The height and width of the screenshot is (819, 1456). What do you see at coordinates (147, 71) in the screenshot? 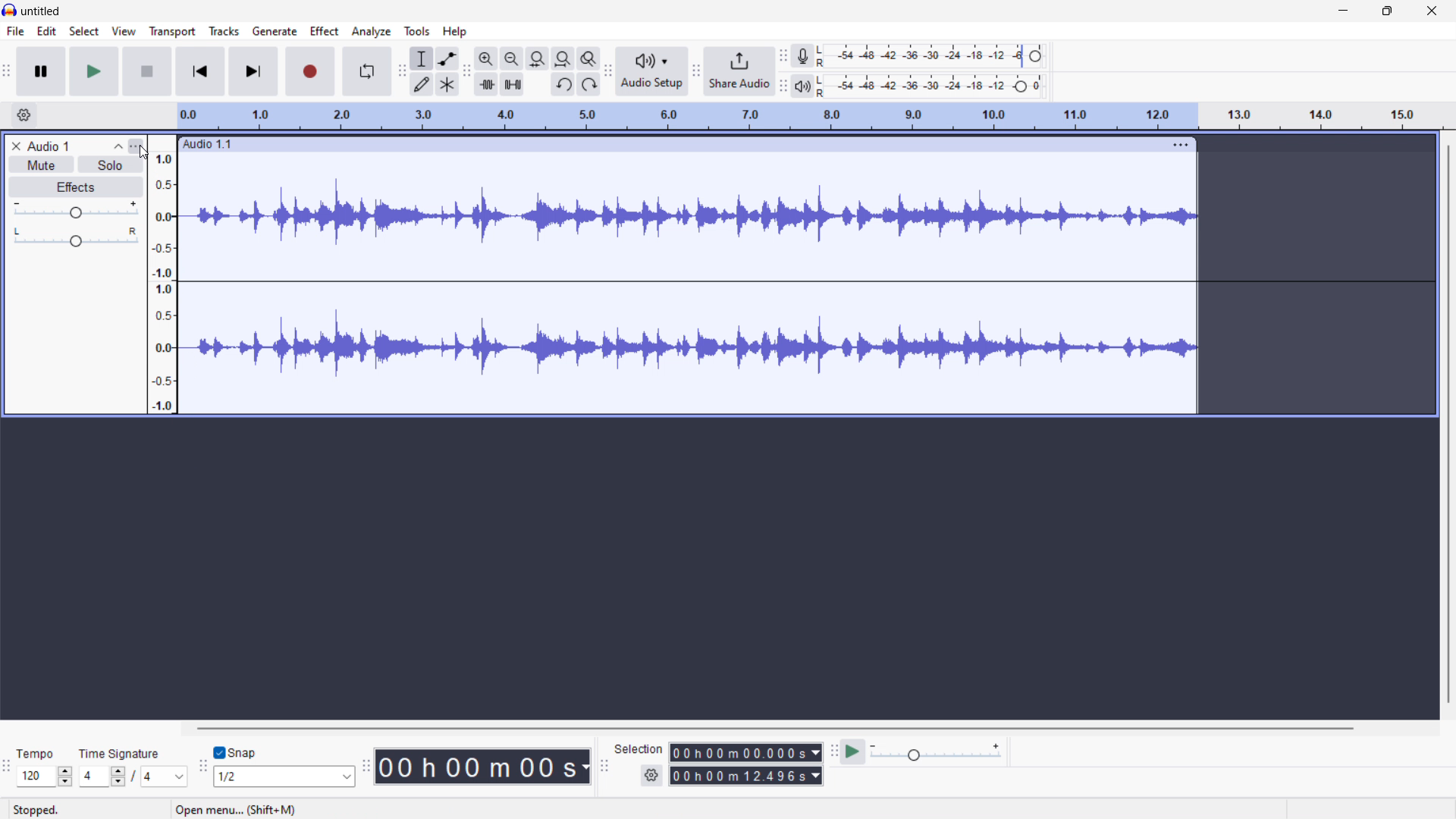
I see `stop` at bounding box center [147, 71].